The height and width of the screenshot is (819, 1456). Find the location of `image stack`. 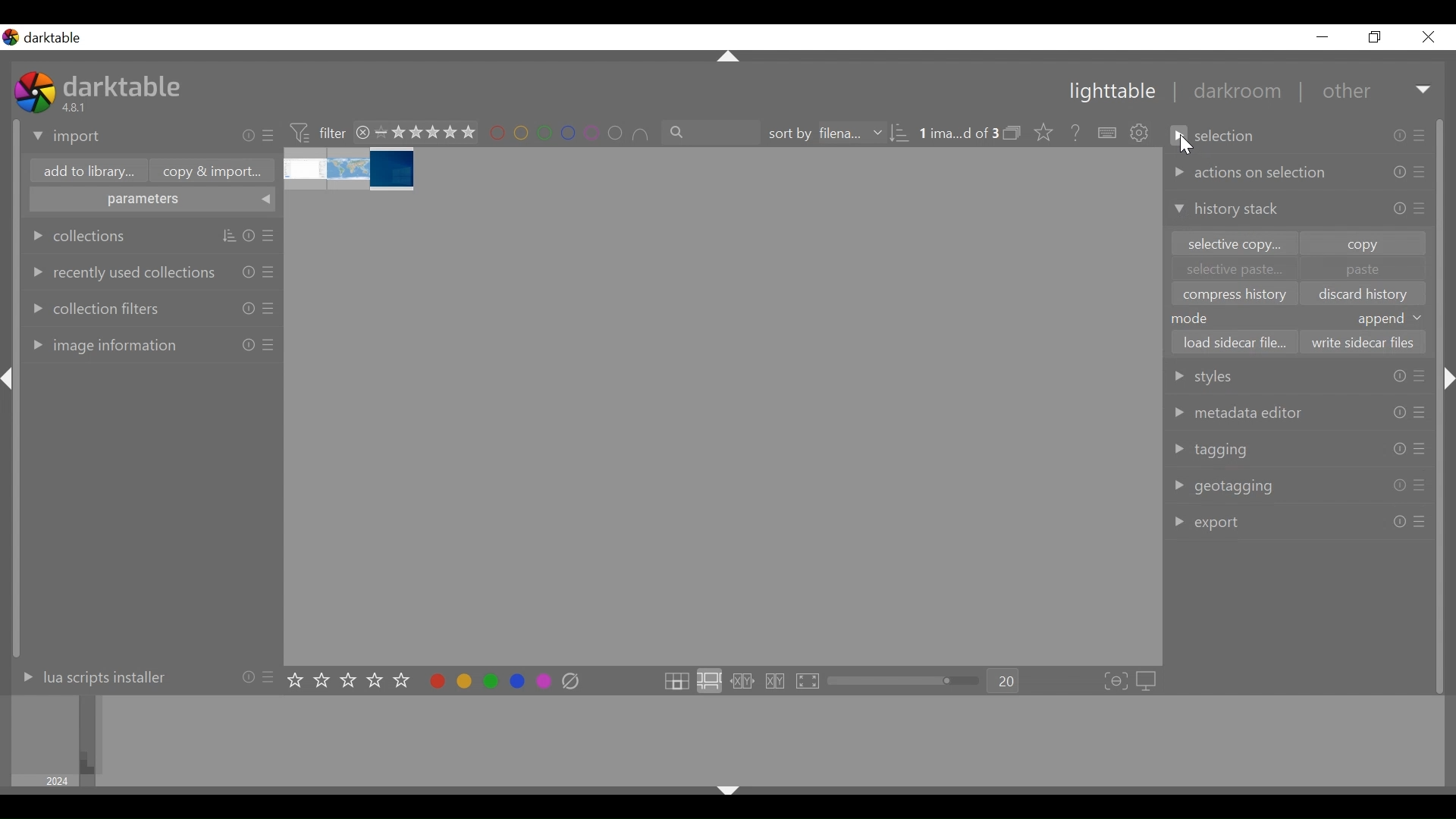

image stack is located at coordinates (351, 170).